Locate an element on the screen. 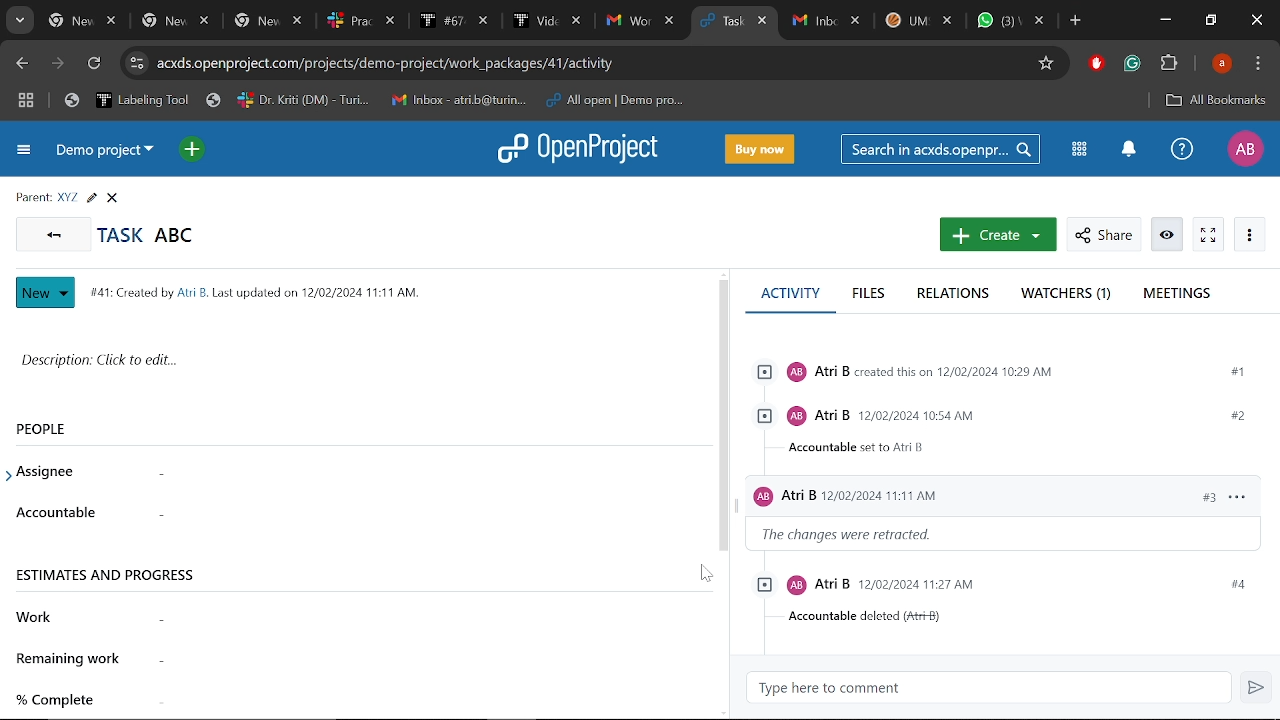  Customize and control chorme is located at coordinates (1258, 66).